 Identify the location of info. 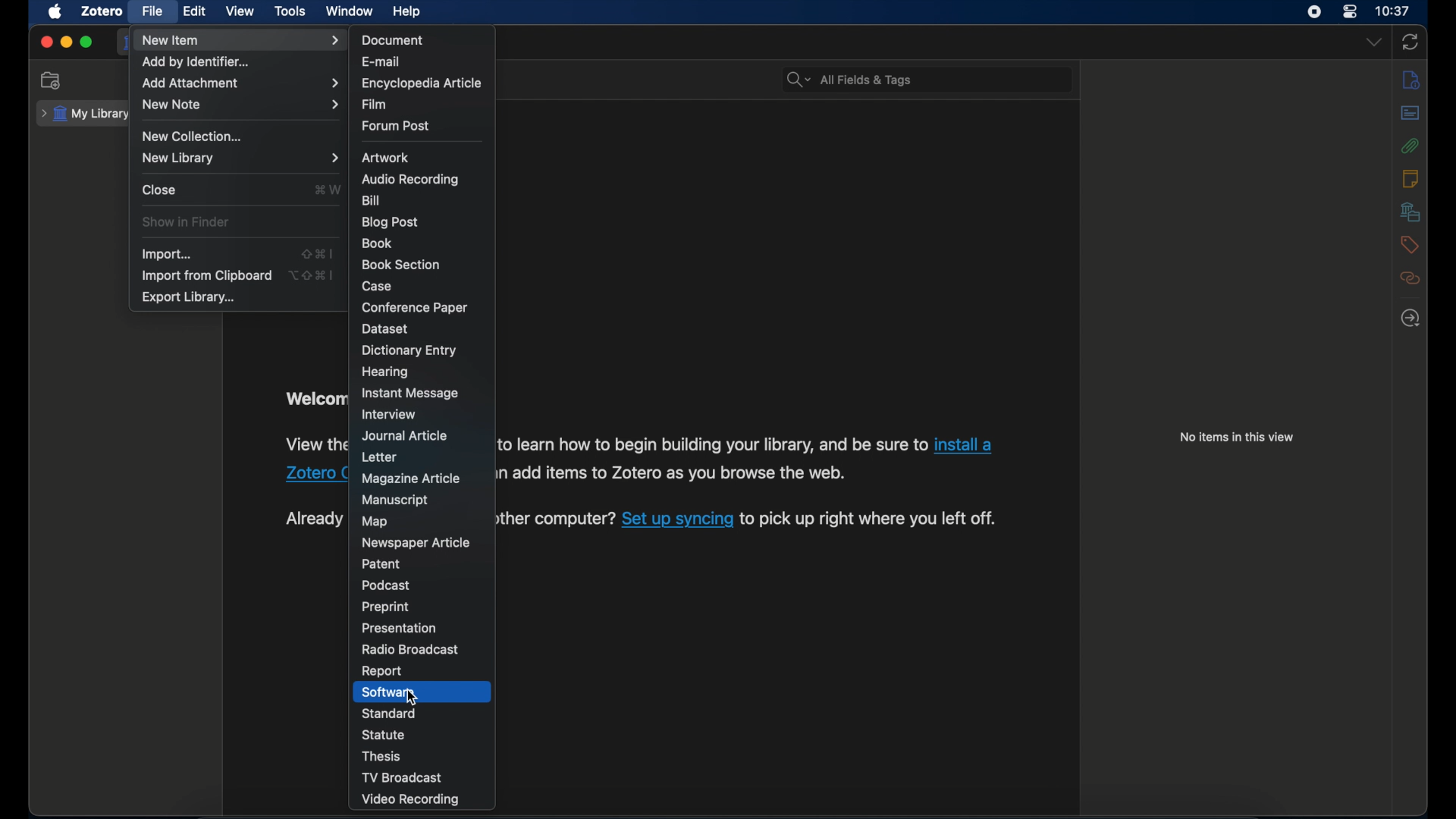
(1411, 79).